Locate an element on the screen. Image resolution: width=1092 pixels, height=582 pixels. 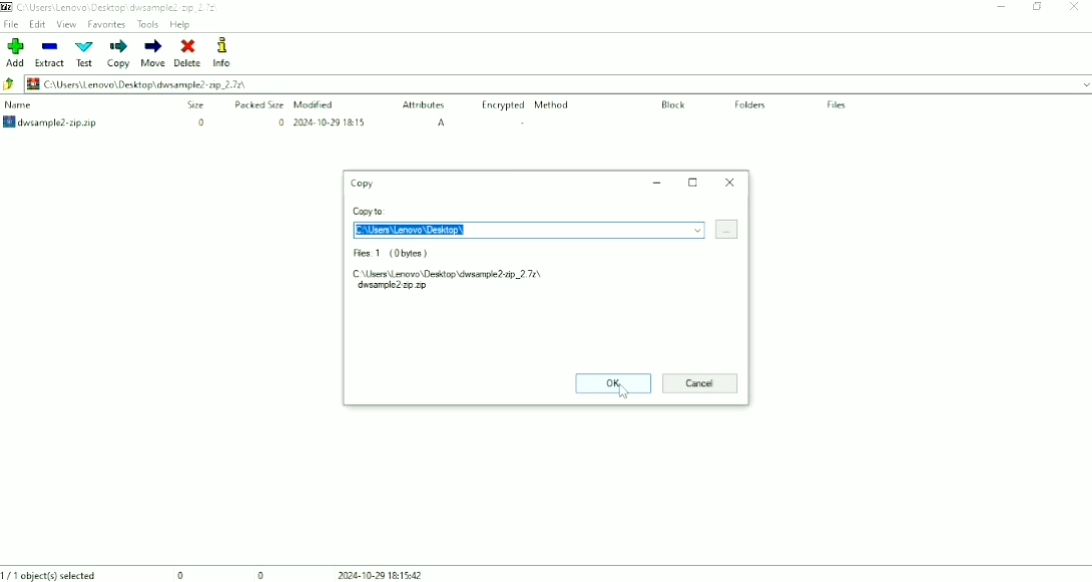
Add is located at coordinates (14, 52).